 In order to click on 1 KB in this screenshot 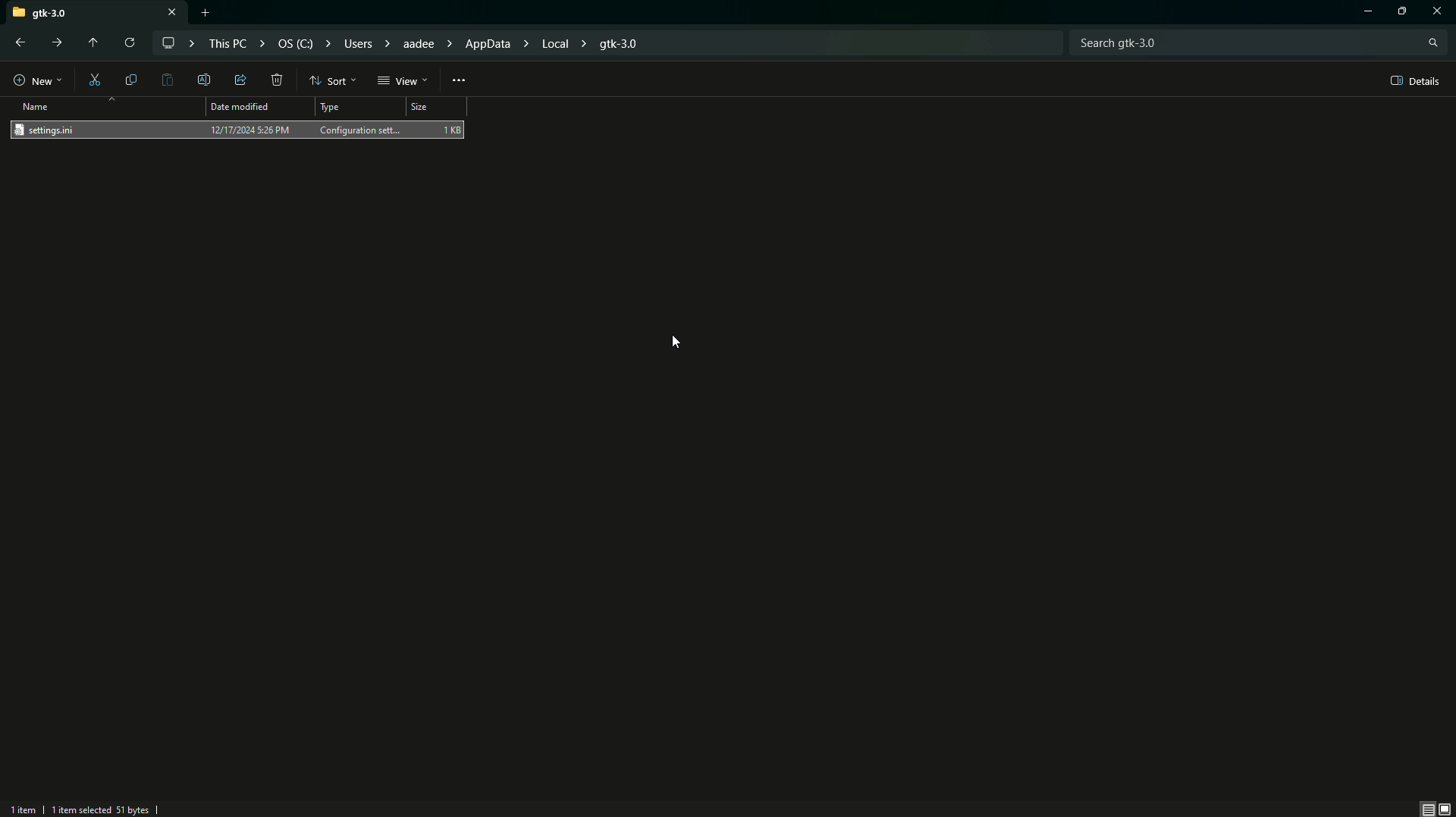, I will do `click(453, 129)`.